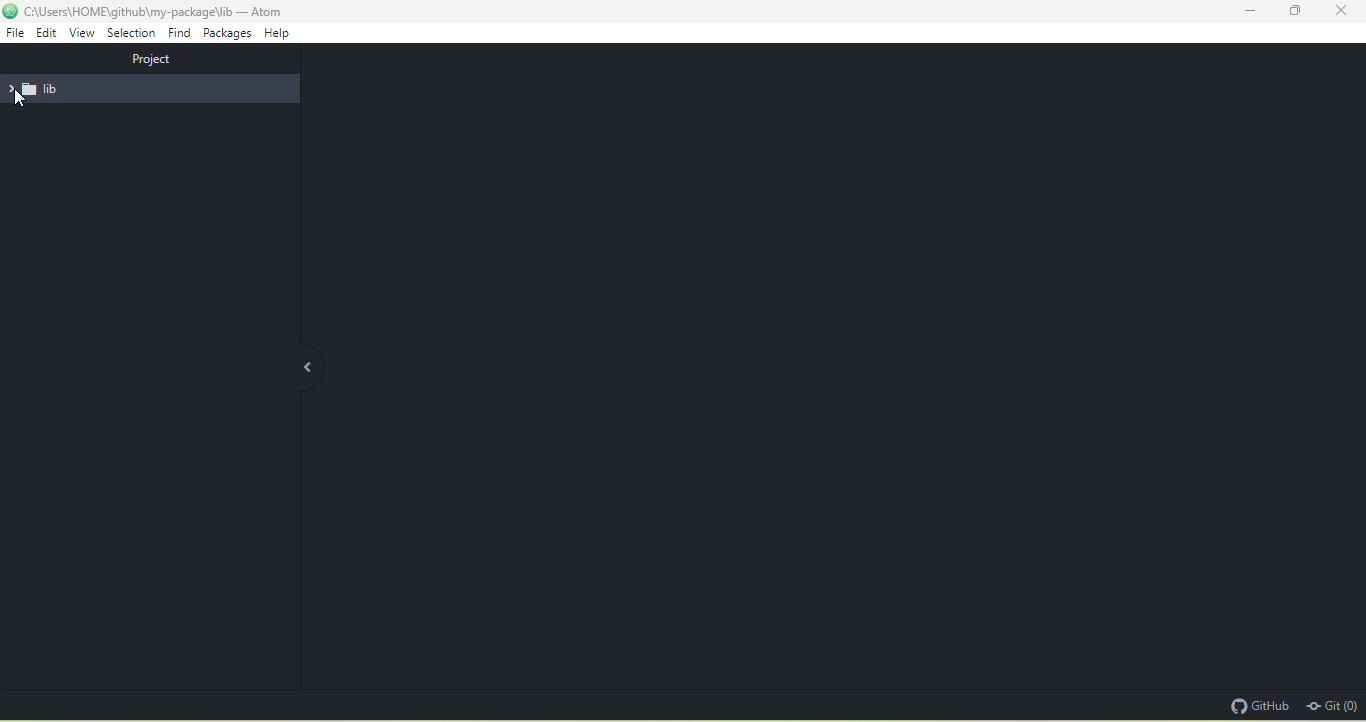 The height and width of the screenshot is (722, 1366). Describe the element at coordinates (10, 11) in the screenshot. I see `atom icon` at that location.